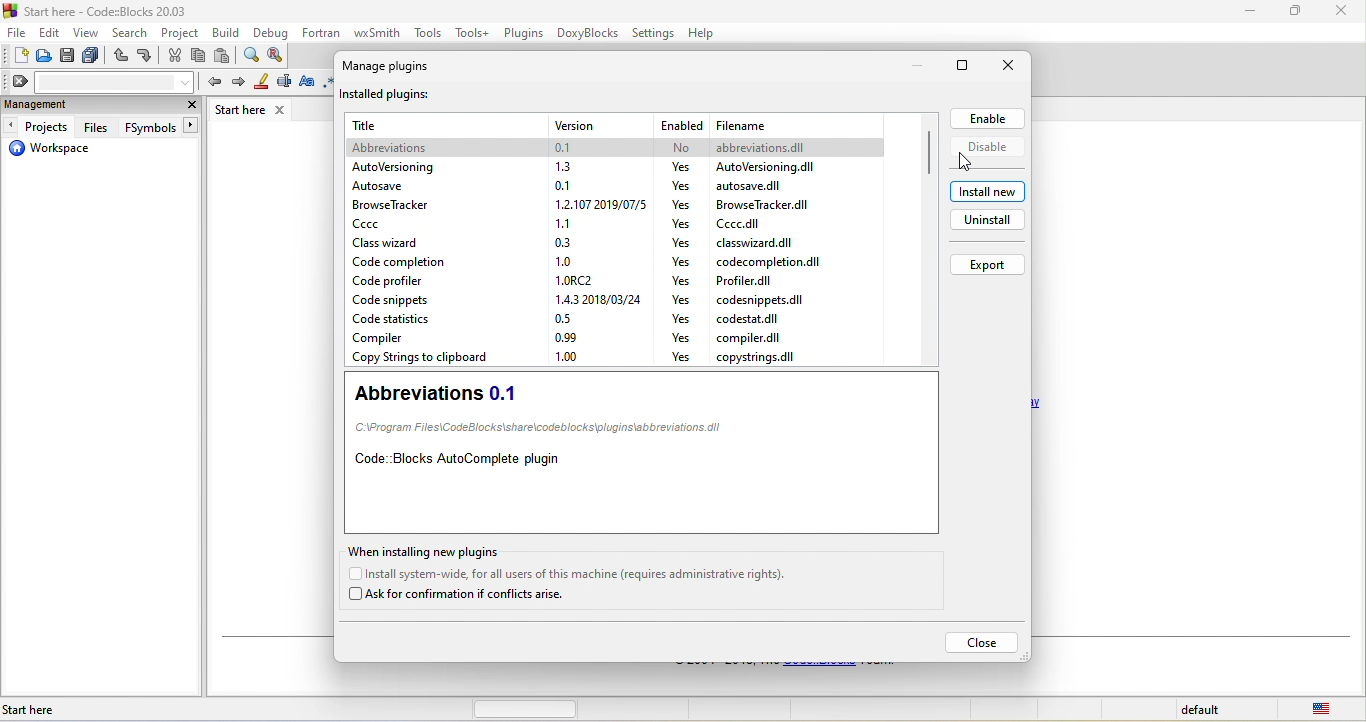 Image resolution: width=1366 pixels, height=722 pixels. I want to click on view, so click(86, 32).